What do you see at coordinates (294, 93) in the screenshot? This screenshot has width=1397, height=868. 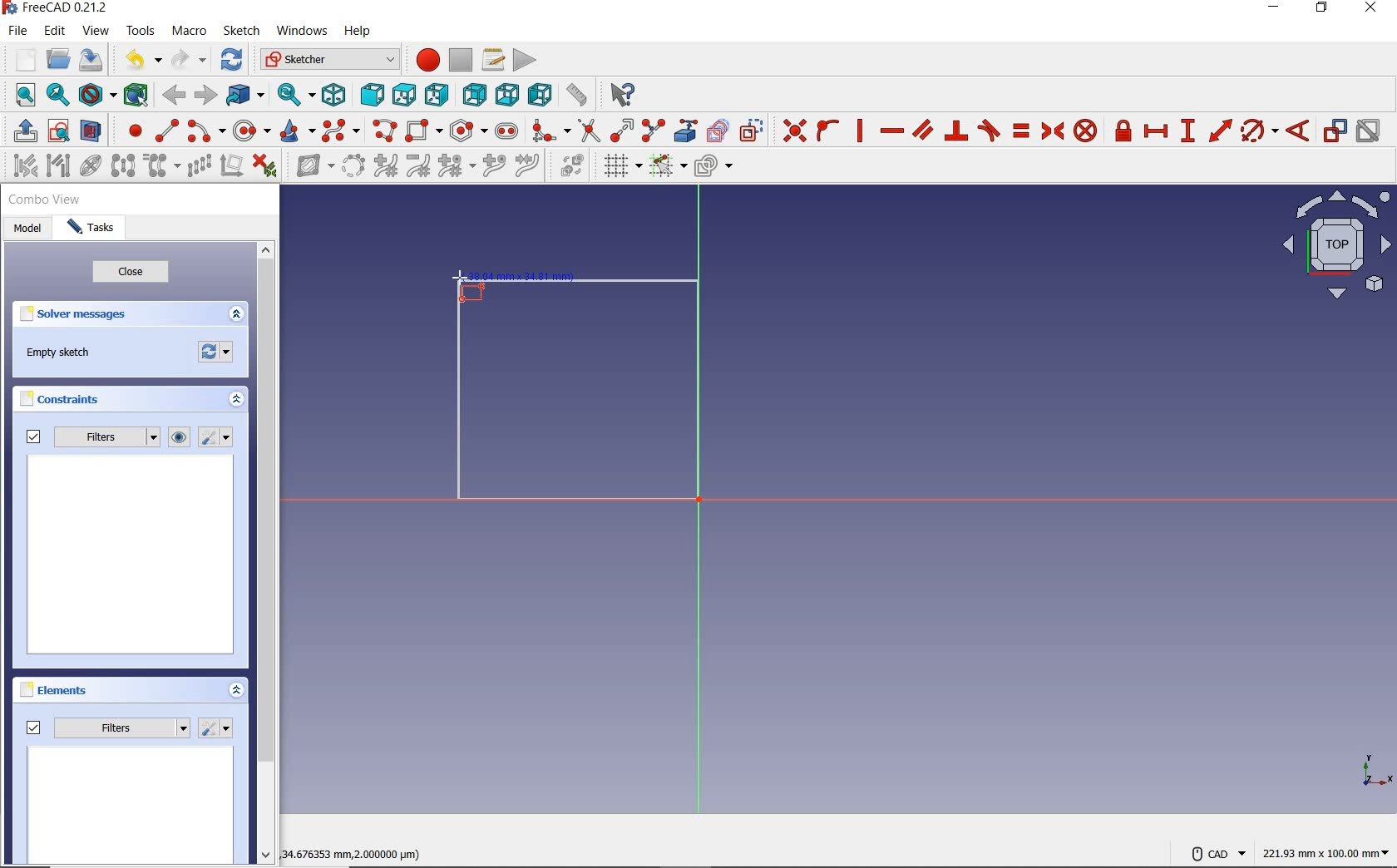 I see `sync view` at bounding box center [294, 93].